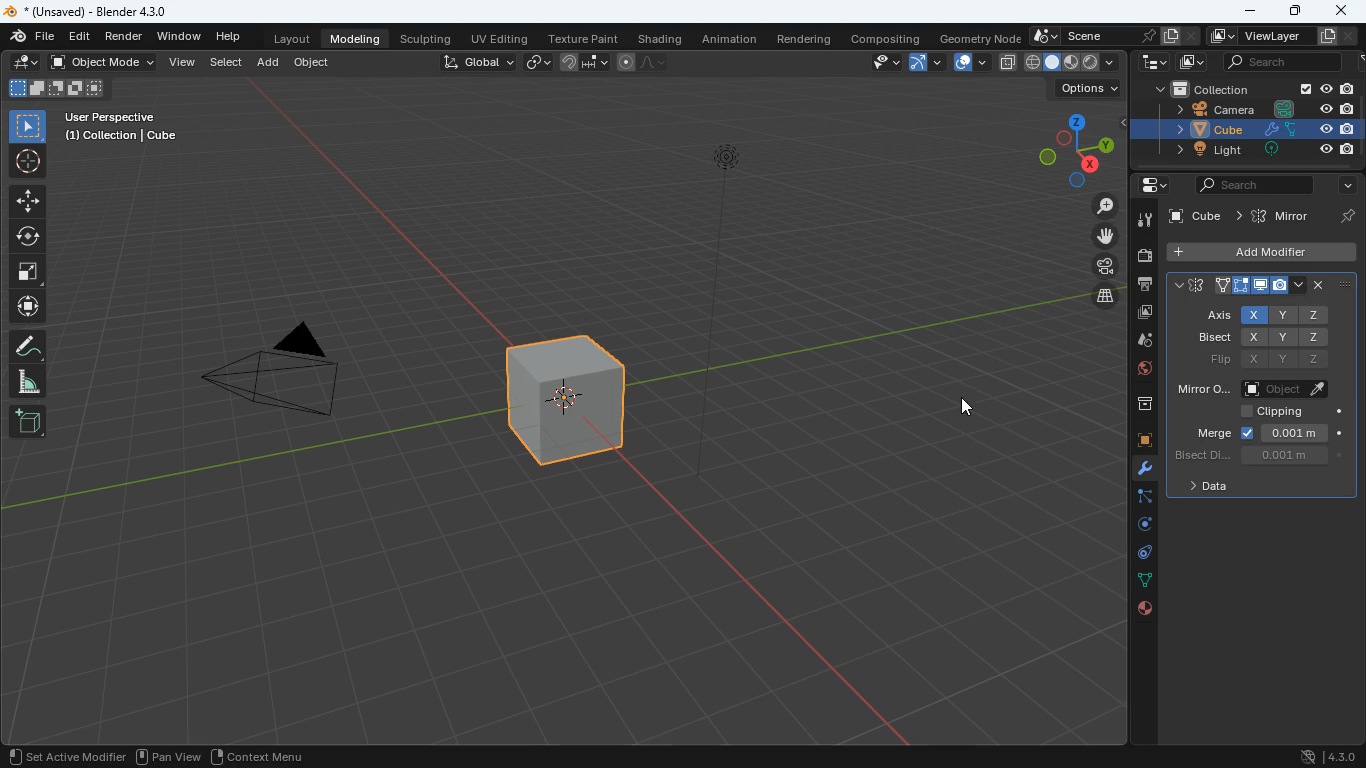 The width and height of the screenshot is (1366, 768). Describe the element at coordinates (1146, 610) in the screenshot. I see `public` at that location.